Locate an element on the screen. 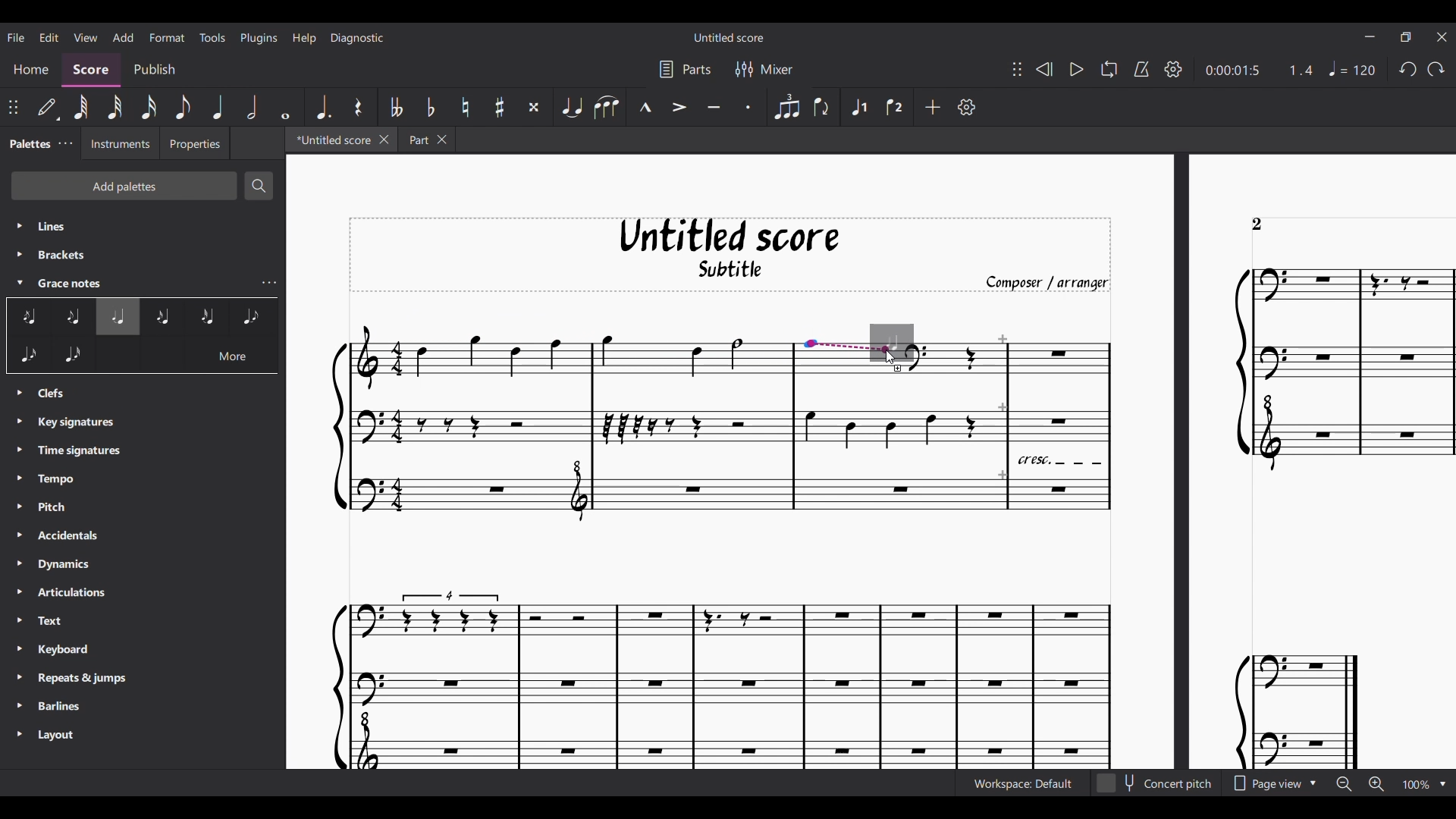 The image size is (1456, 819). options to change page view is located at coordinates (1278, 784).